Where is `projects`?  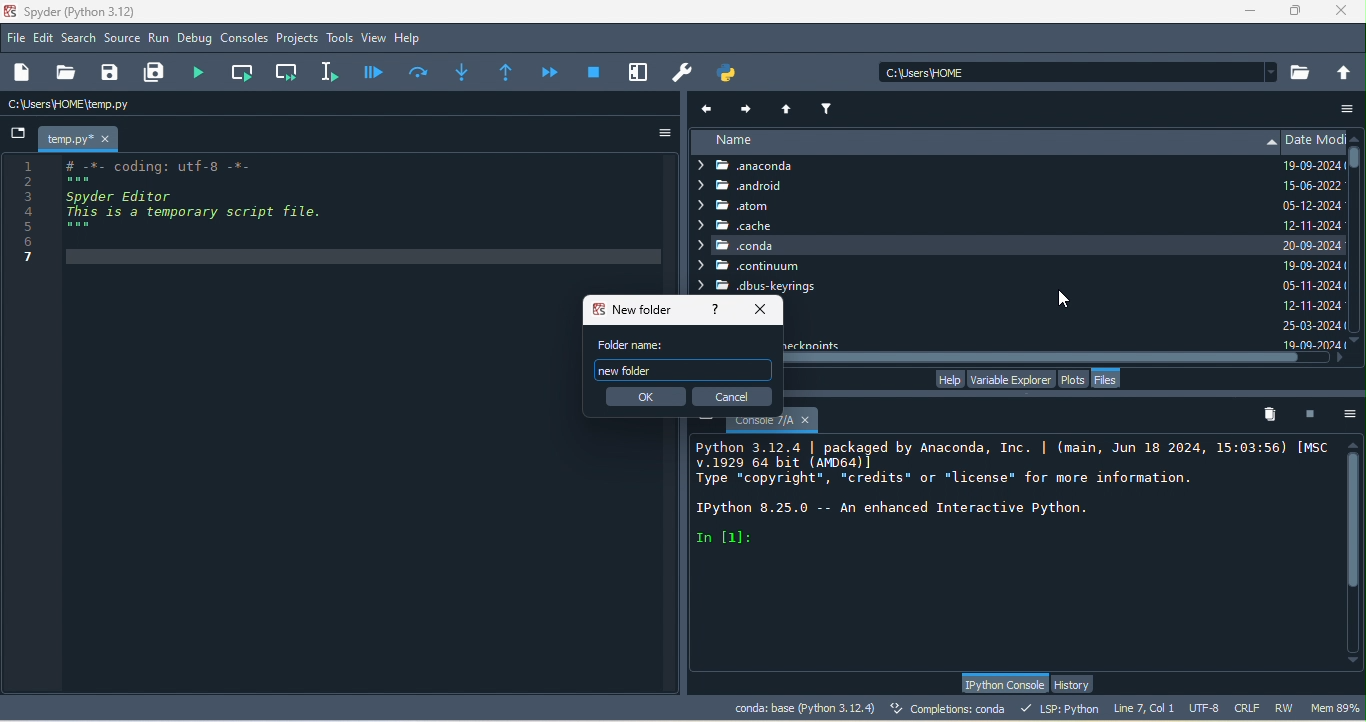
projects is located at coordinates (298, 39).